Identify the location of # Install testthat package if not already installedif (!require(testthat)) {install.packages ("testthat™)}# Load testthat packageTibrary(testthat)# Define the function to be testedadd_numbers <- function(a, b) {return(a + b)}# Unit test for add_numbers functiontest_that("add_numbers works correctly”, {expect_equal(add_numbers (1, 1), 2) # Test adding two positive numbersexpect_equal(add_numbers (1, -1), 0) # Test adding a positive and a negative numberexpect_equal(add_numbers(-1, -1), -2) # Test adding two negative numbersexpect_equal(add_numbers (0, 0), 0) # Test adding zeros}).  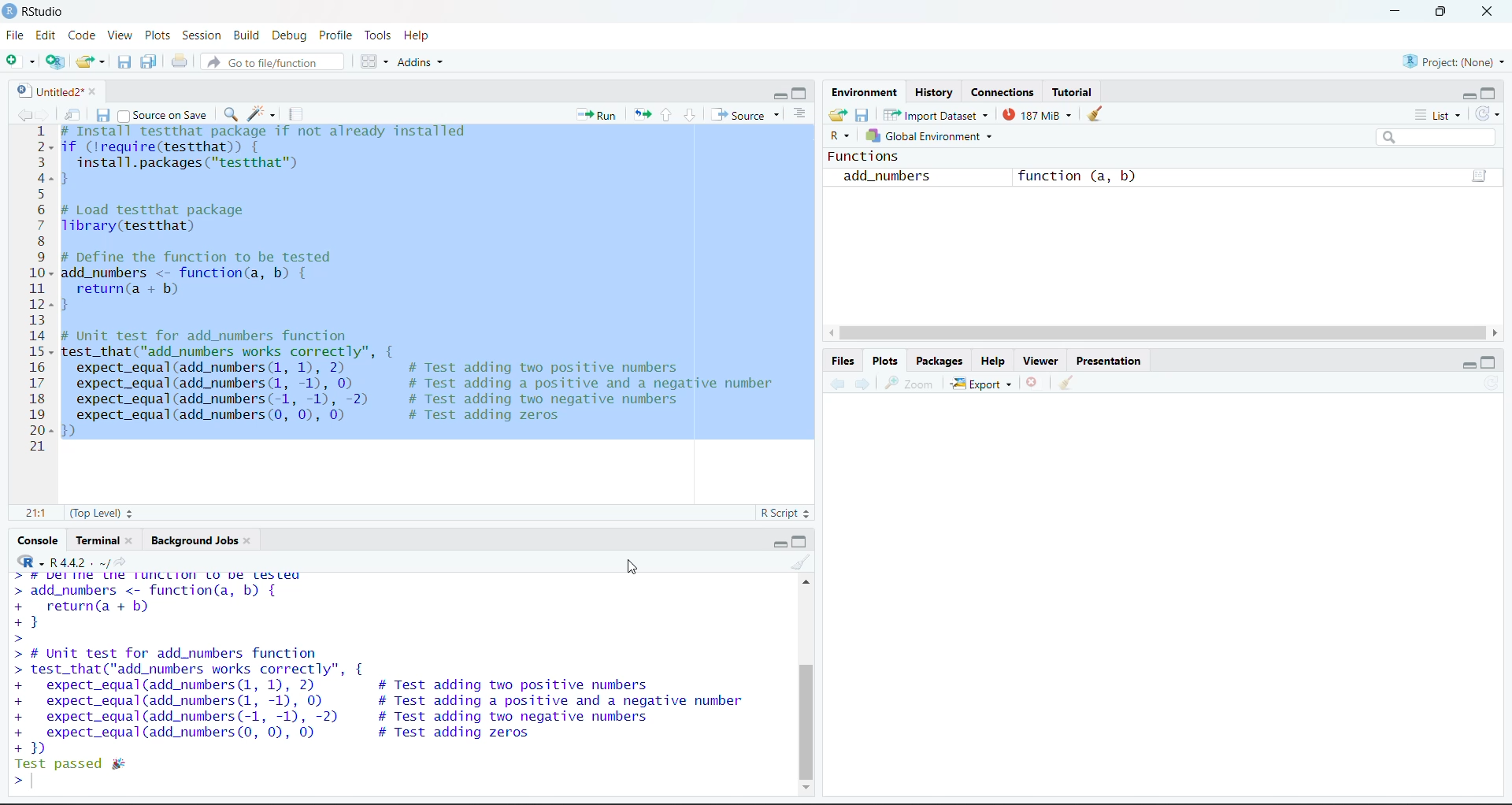
(430, 282).